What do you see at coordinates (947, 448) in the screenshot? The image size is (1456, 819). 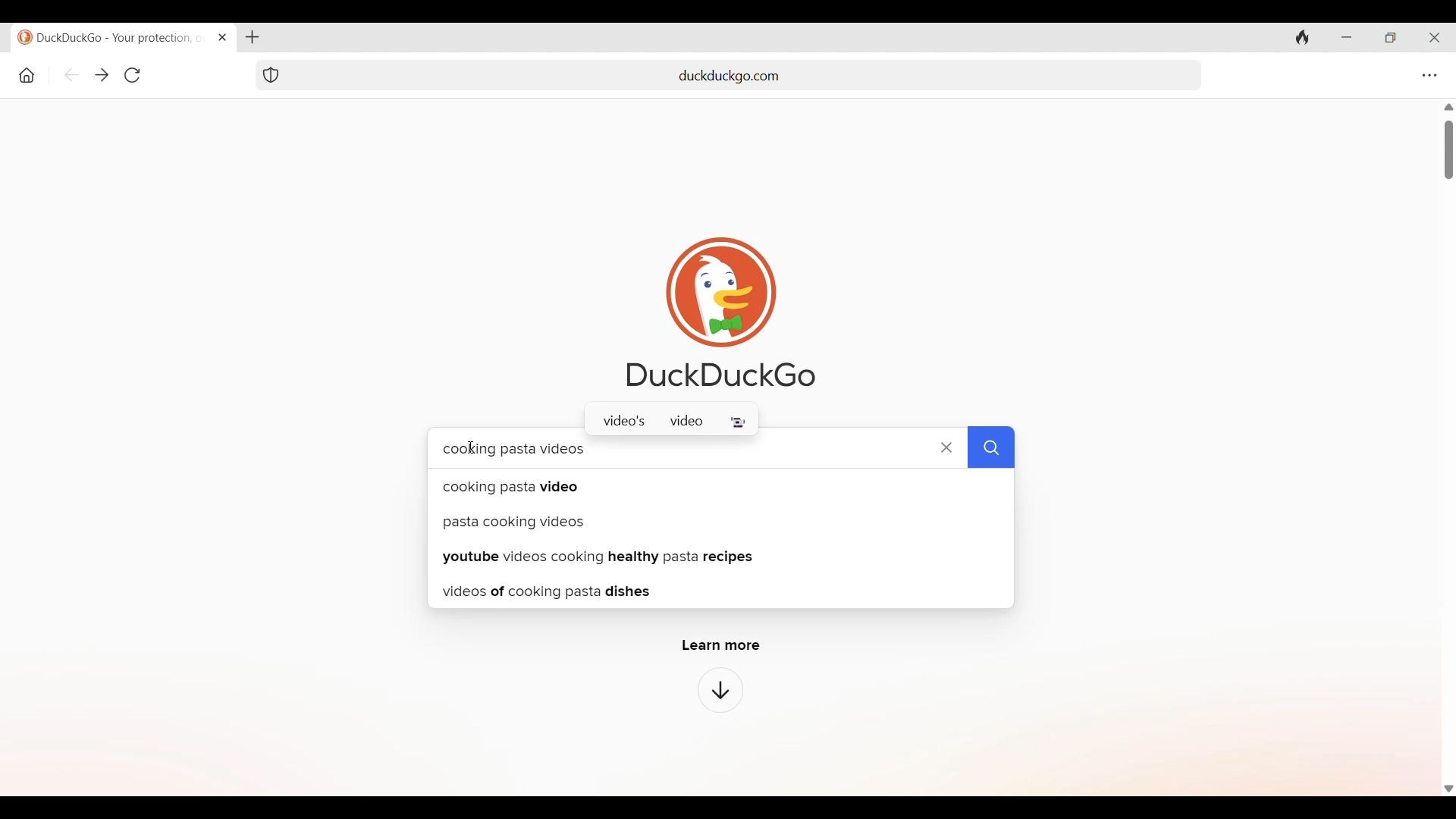 I see `Delete query` at bounding box center [947, 448].